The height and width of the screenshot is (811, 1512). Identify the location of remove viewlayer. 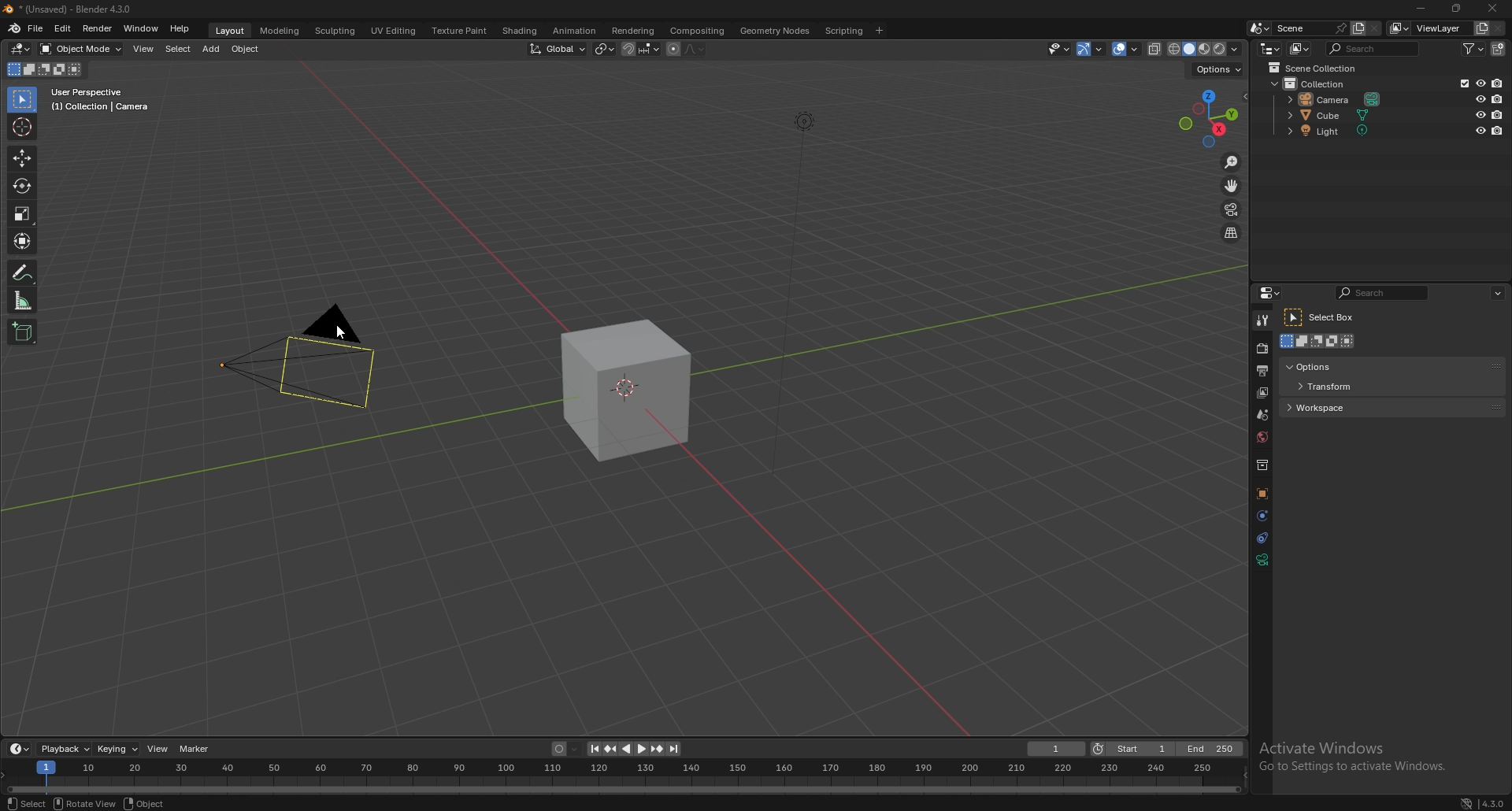
(1499, 28).